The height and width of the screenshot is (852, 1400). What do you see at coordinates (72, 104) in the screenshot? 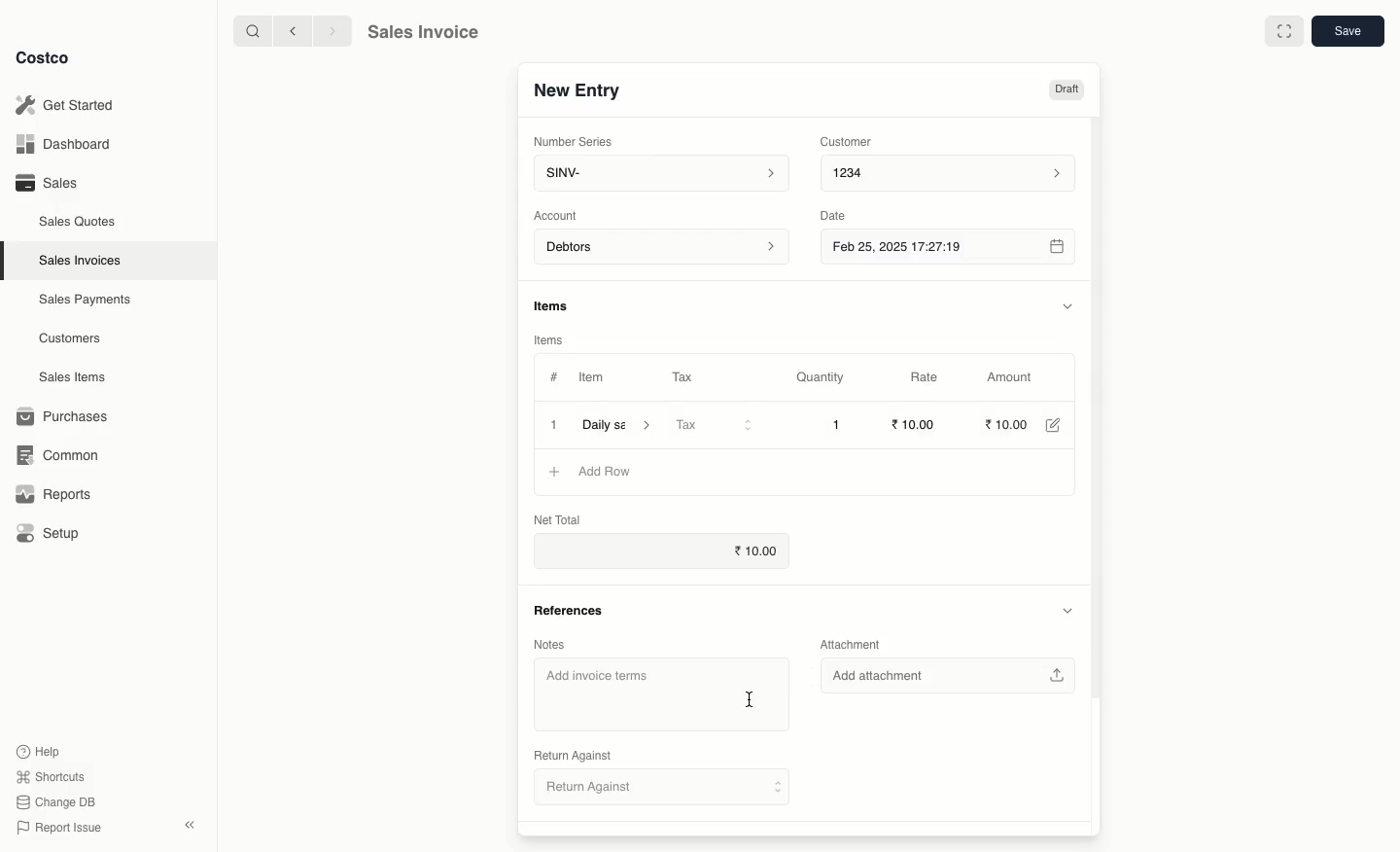
I see `Get Started` at bounding box center [72, 104].